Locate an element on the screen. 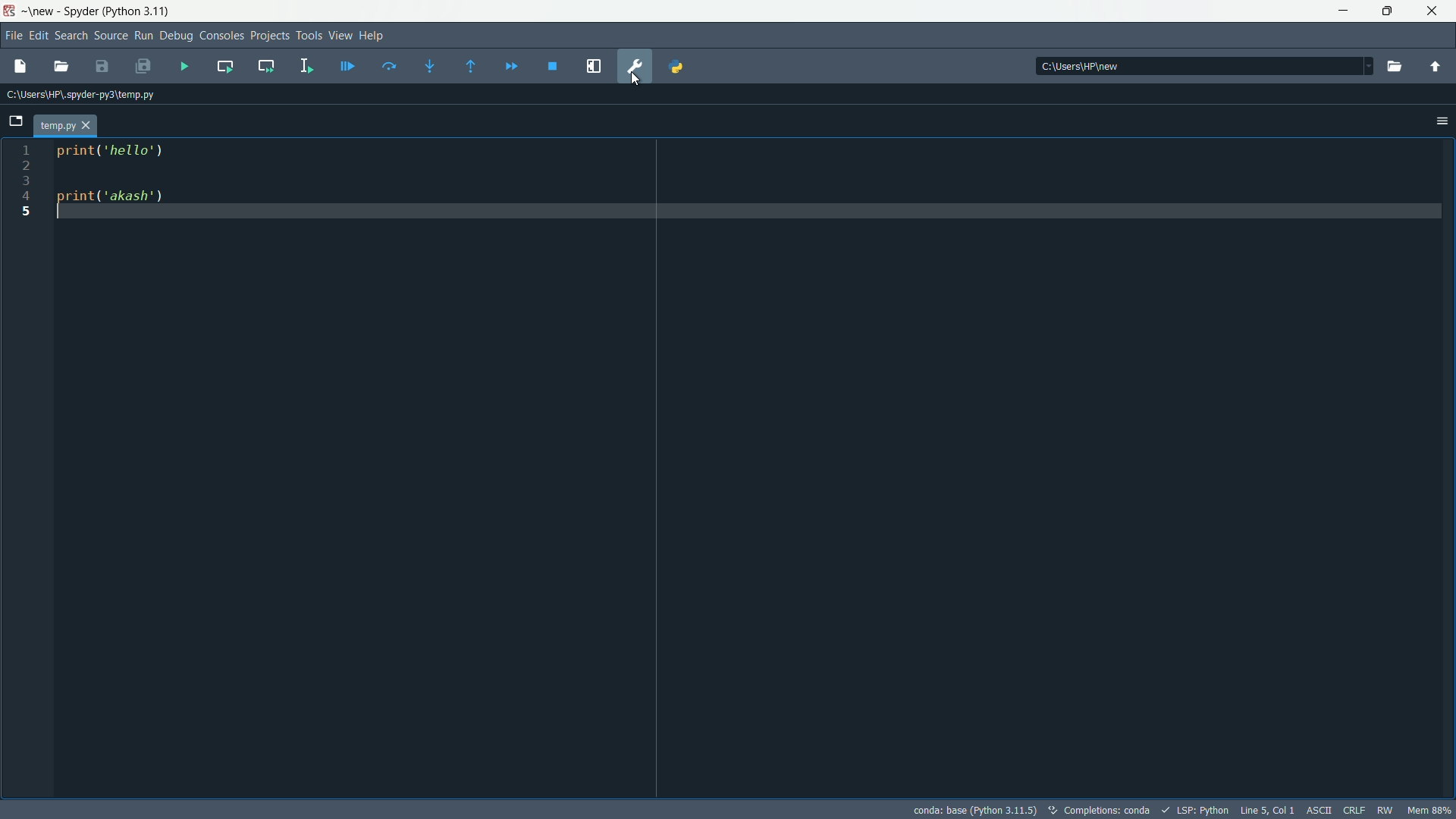  debug menu is located at coordinates (177, 34).